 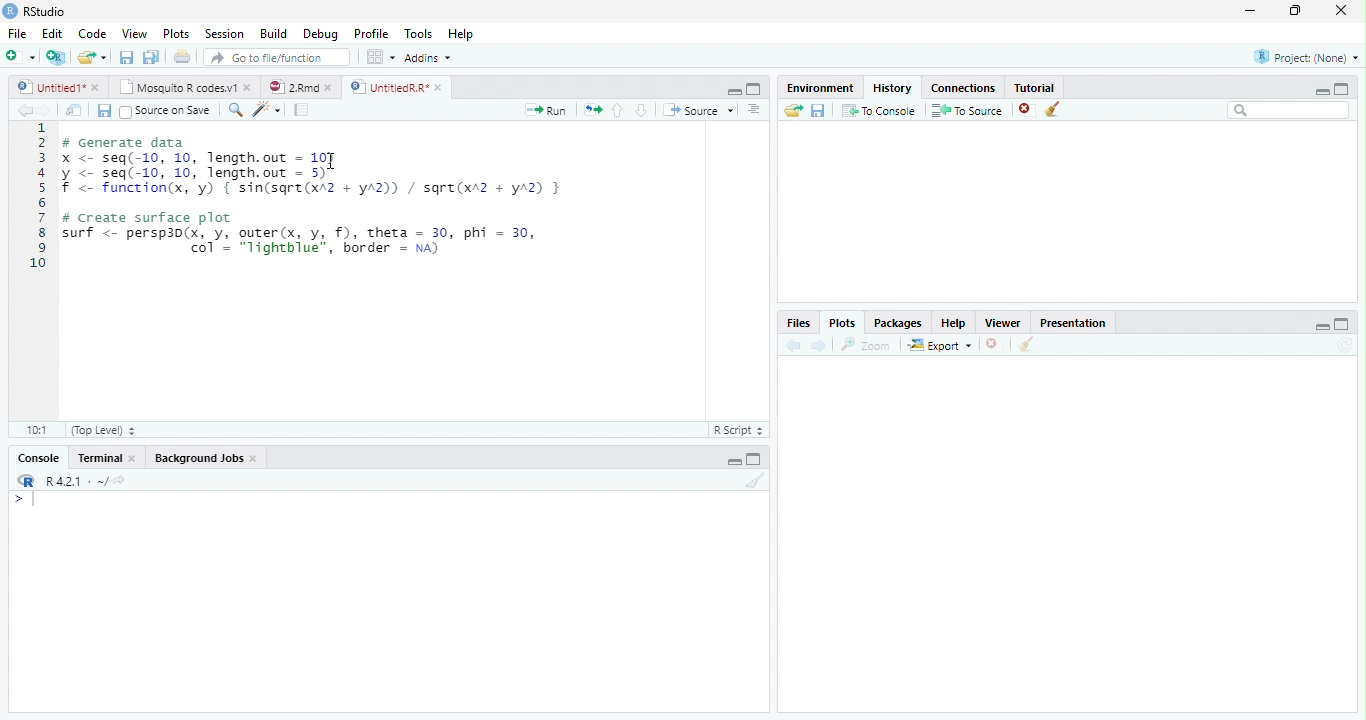 I want to click on 2.Rmd, so click(x=292, y=86).